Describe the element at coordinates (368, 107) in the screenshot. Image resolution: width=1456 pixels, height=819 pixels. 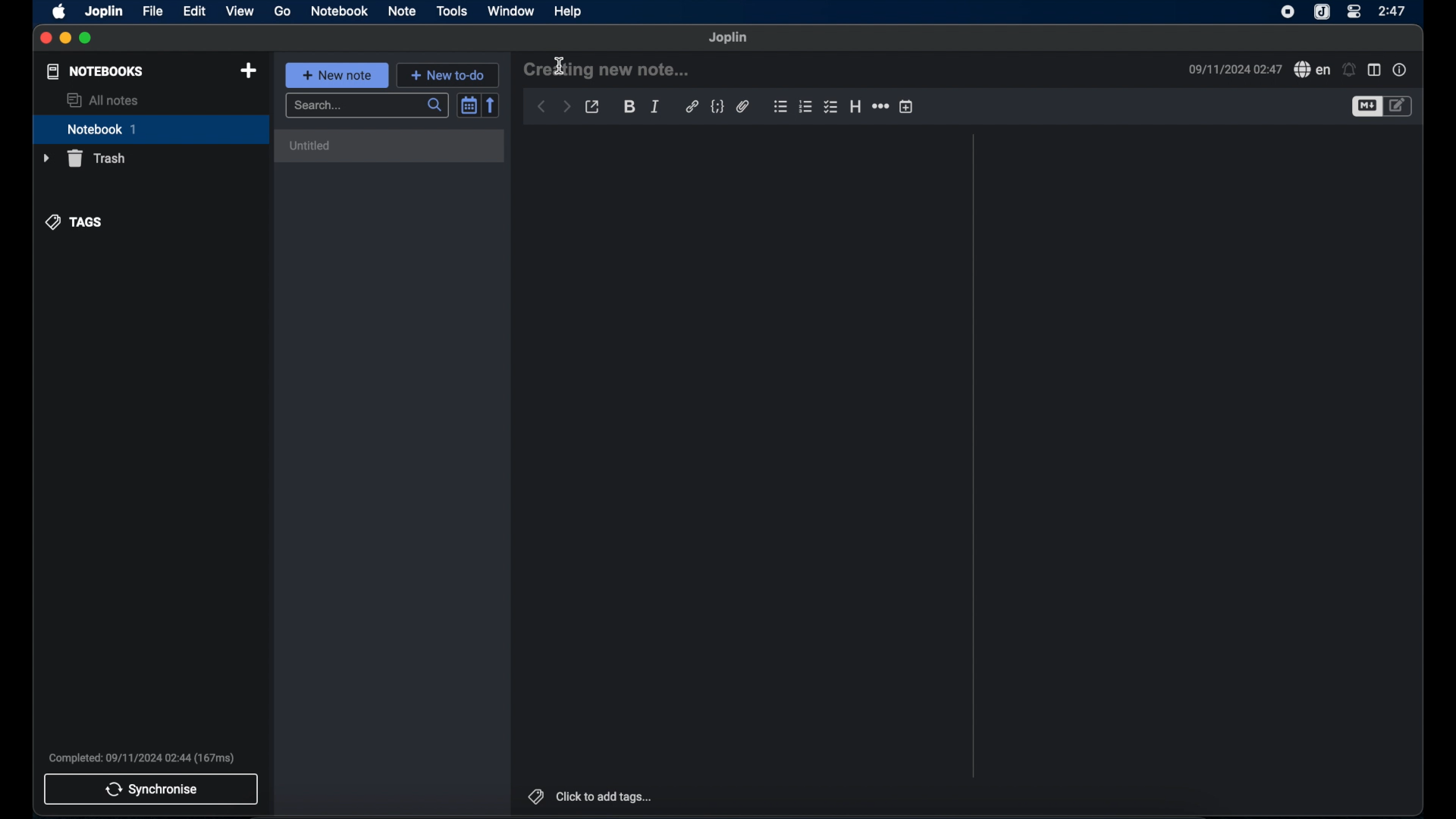
I see `search bar` at that location.